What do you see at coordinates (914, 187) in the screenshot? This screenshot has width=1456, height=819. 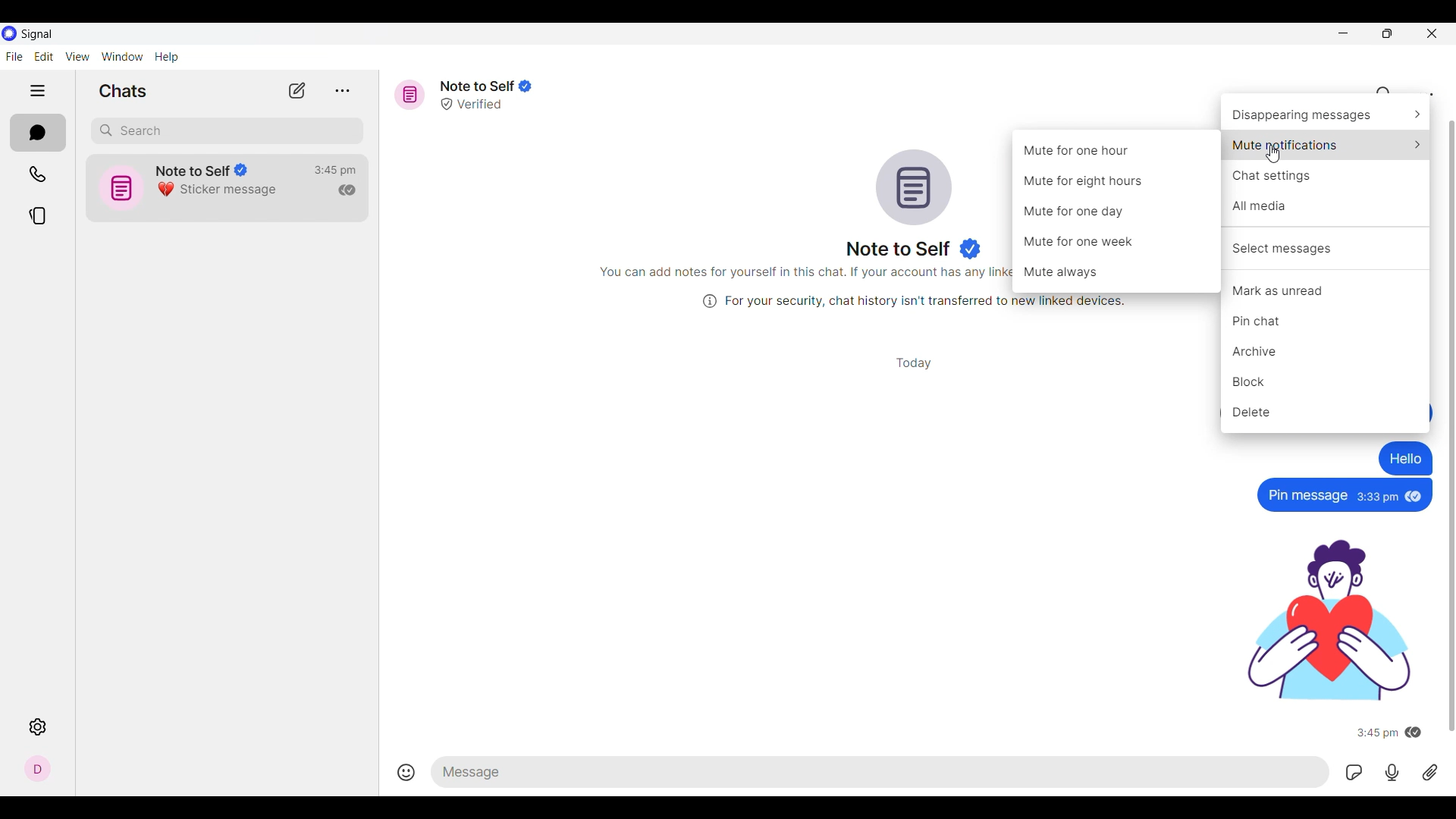 I see `Conversation logo` at bounding box center [914, 187].